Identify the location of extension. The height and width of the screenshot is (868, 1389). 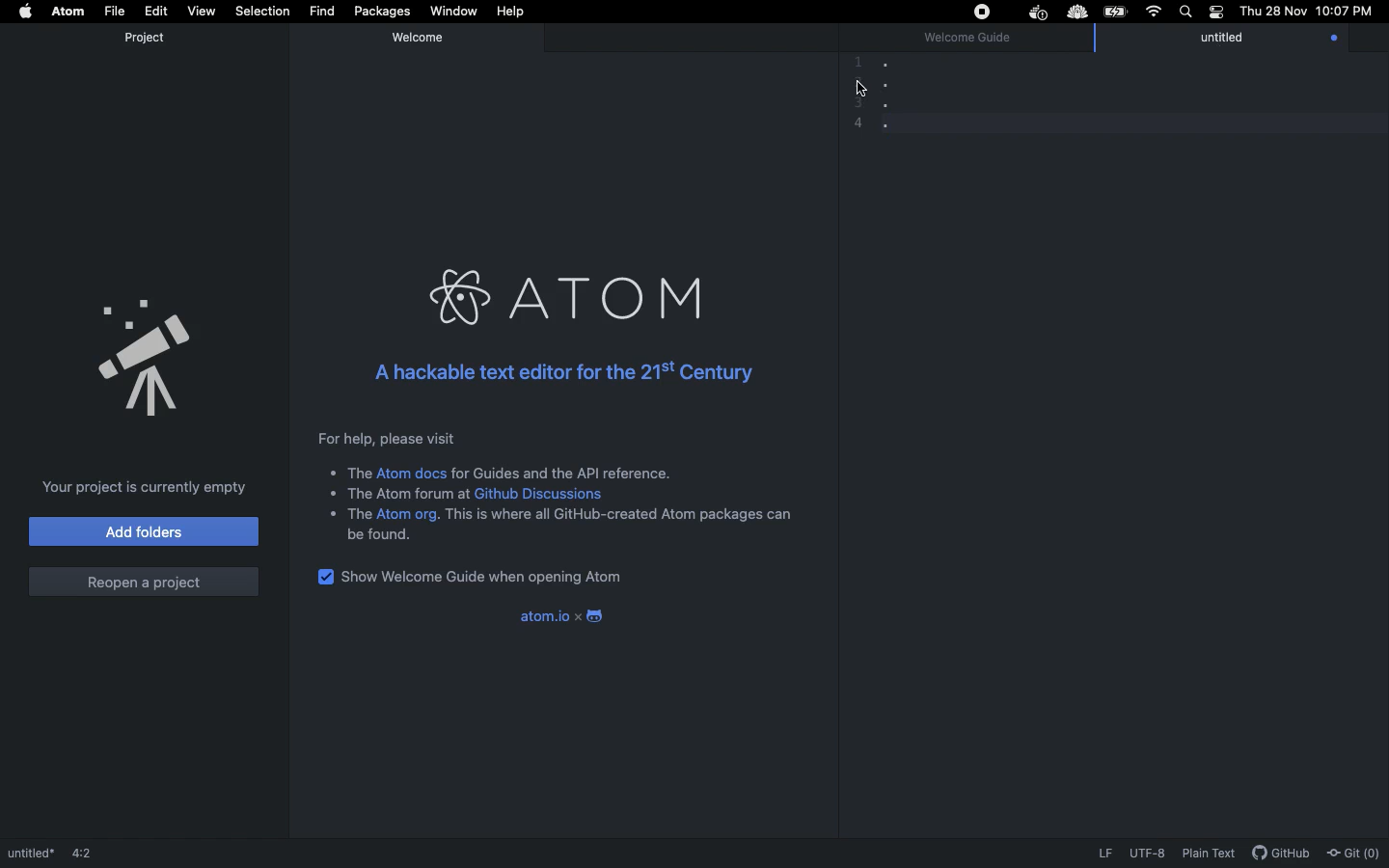
(1079, 13).